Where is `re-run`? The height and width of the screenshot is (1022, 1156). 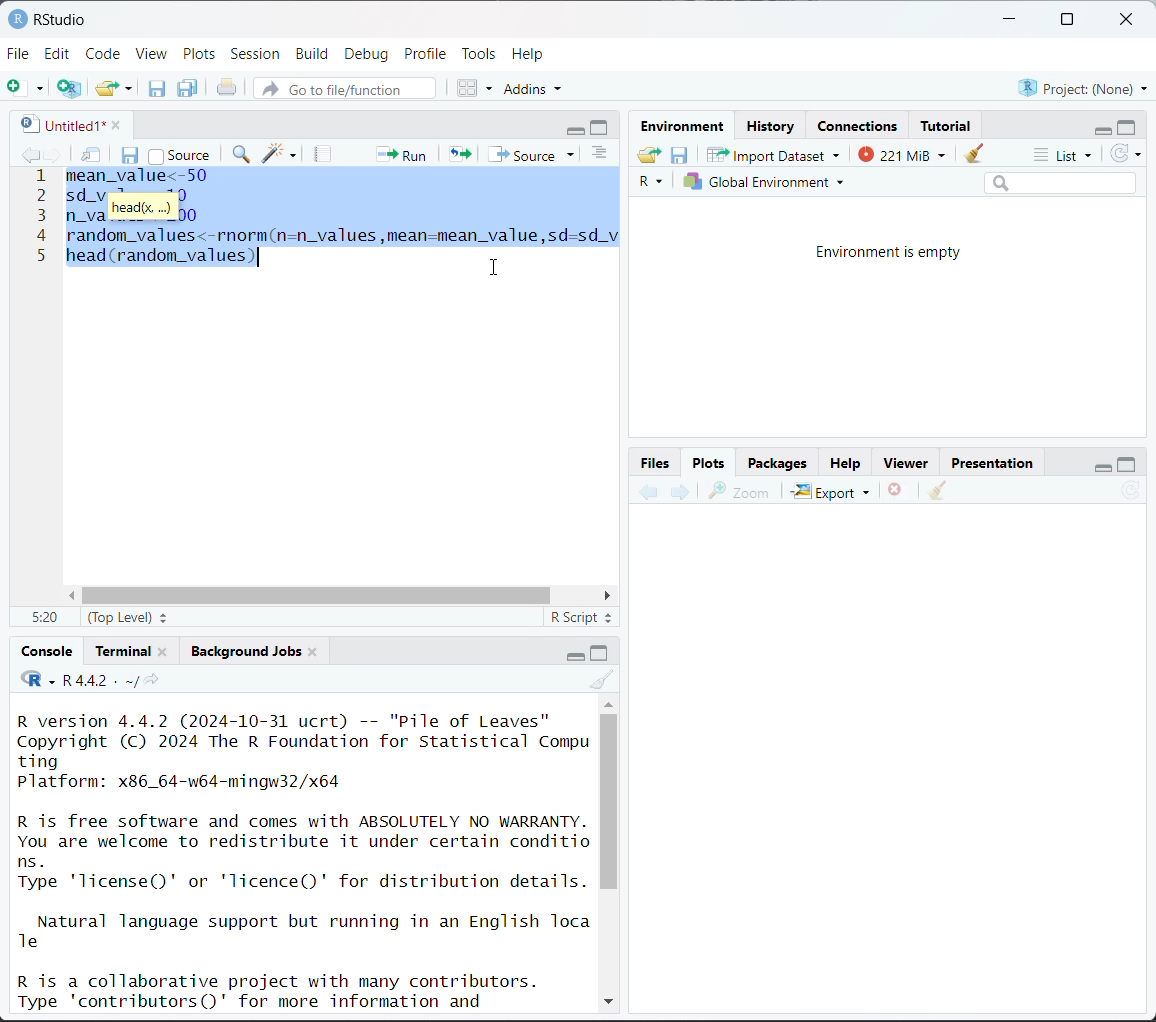 re-run is located at coordinates (458, 153).